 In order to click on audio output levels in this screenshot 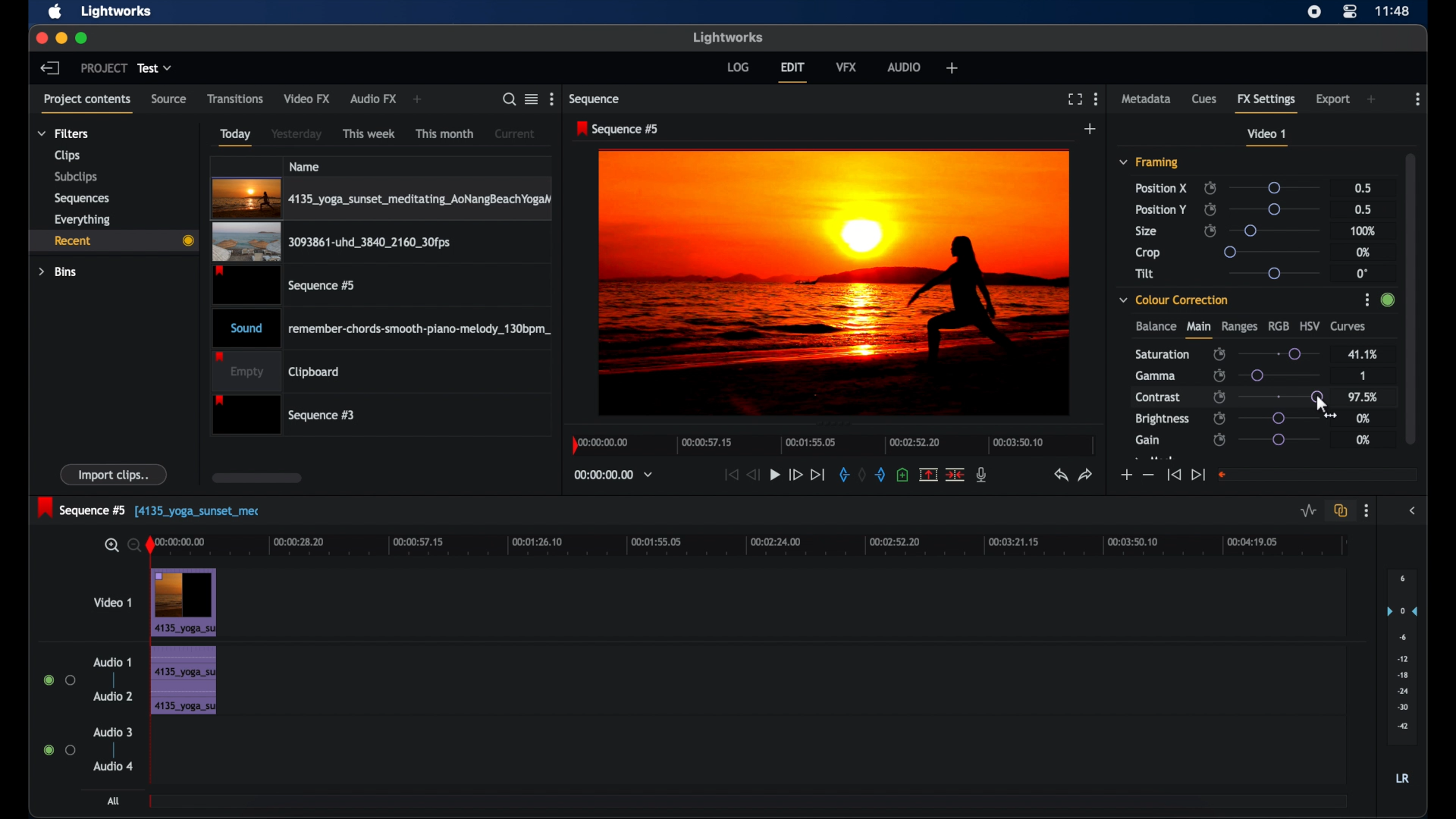, I will do `click(1401, 657)`.